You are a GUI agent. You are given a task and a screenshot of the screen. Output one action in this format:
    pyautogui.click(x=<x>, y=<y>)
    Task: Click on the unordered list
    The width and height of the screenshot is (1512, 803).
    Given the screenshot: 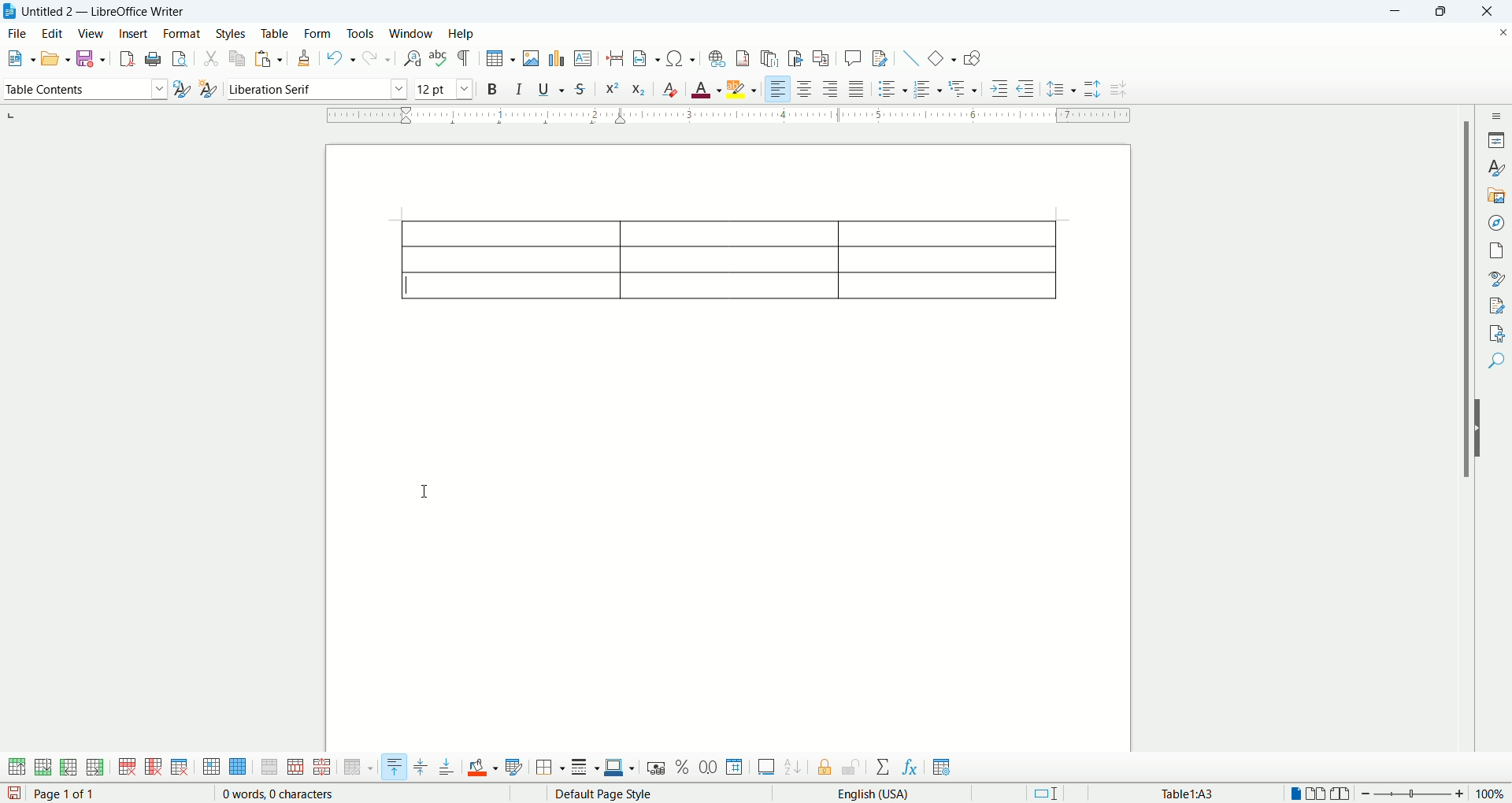 What is the action you would take?
    pyautogui.click(x=892, y=90)
    